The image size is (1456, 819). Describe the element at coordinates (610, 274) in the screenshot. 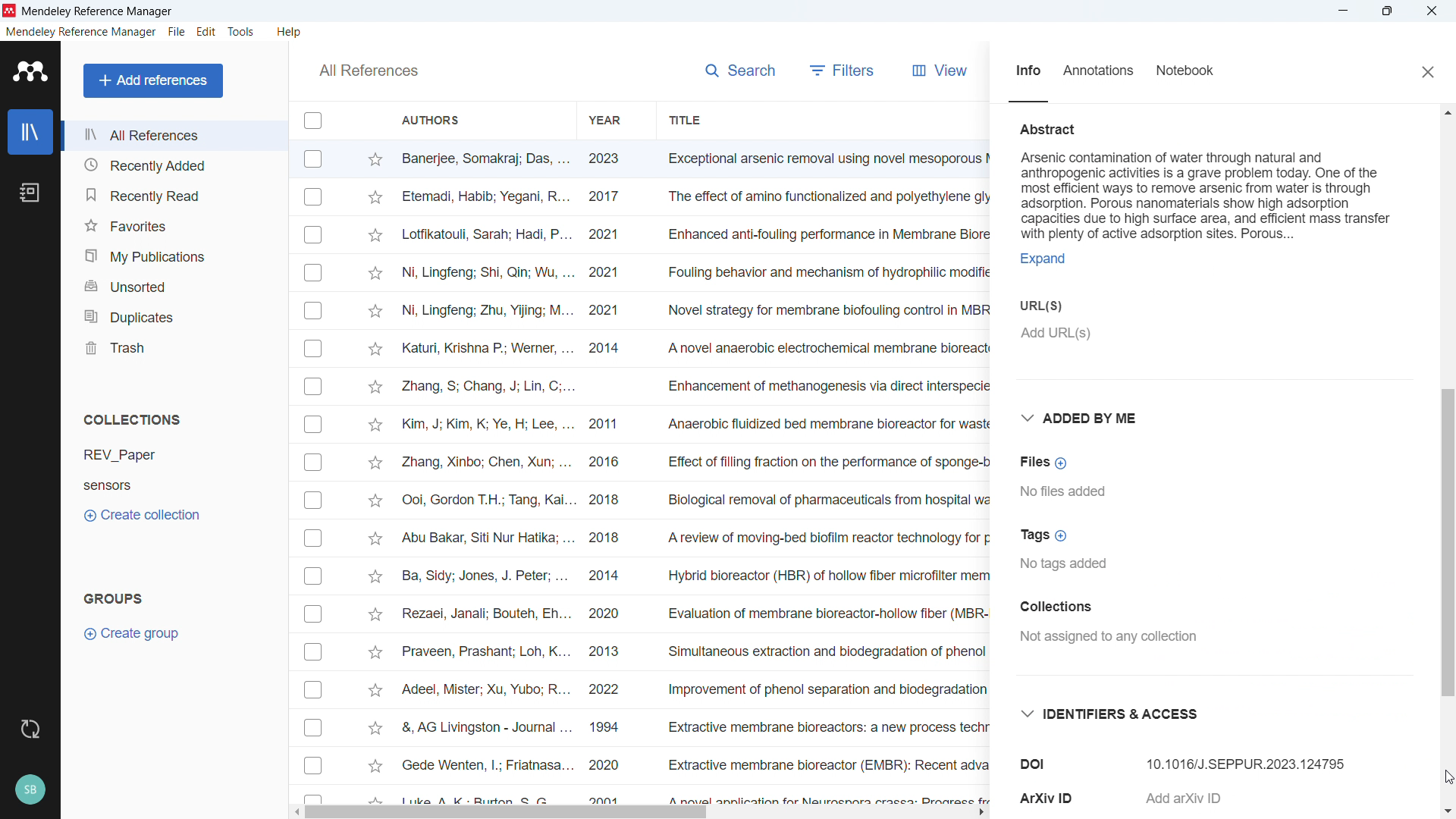

I see `2021` at that location.